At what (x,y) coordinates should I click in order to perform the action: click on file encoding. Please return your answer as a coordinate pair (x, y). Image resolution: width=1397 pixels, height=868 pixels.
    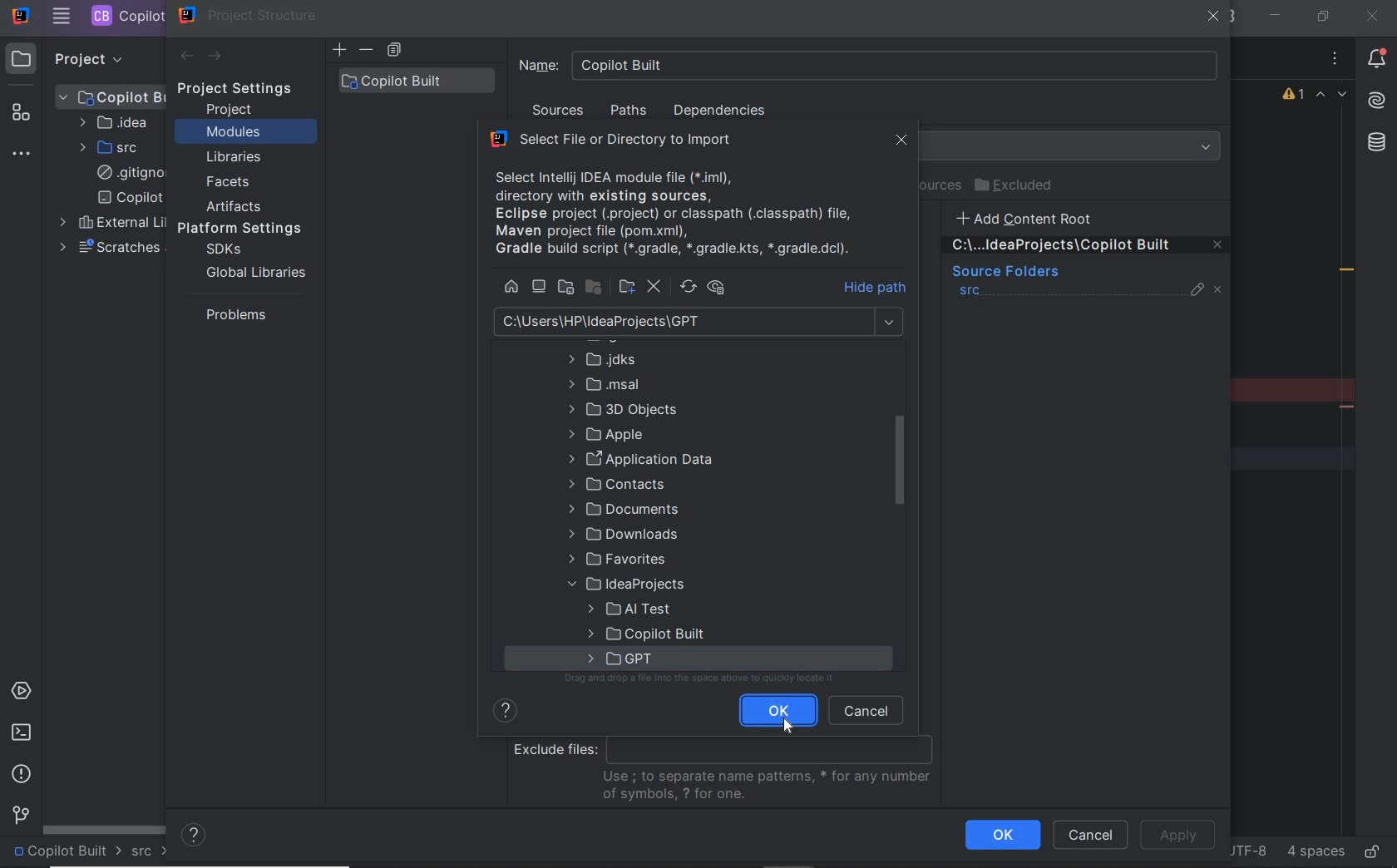
    Looking at the image, I should click on (1246, 850).